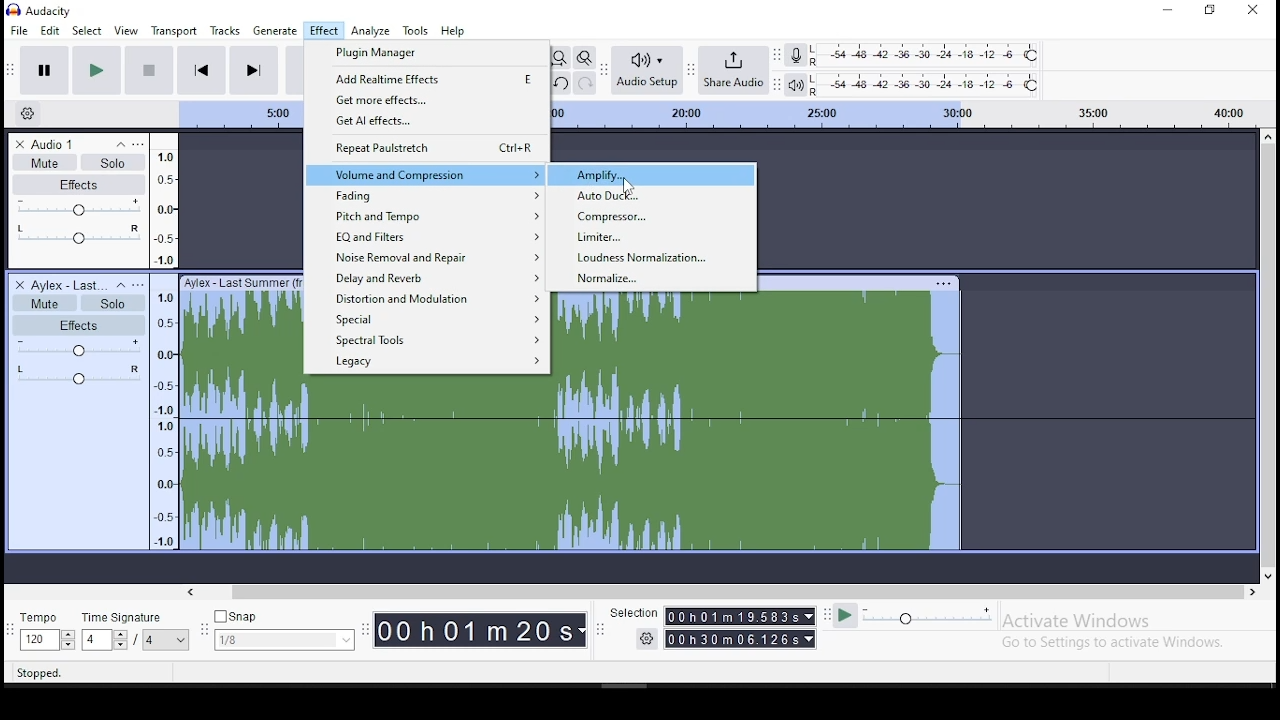  Describe the element at coordinates (724, 591) in the screenshot. I see `scroll bar` at that location.